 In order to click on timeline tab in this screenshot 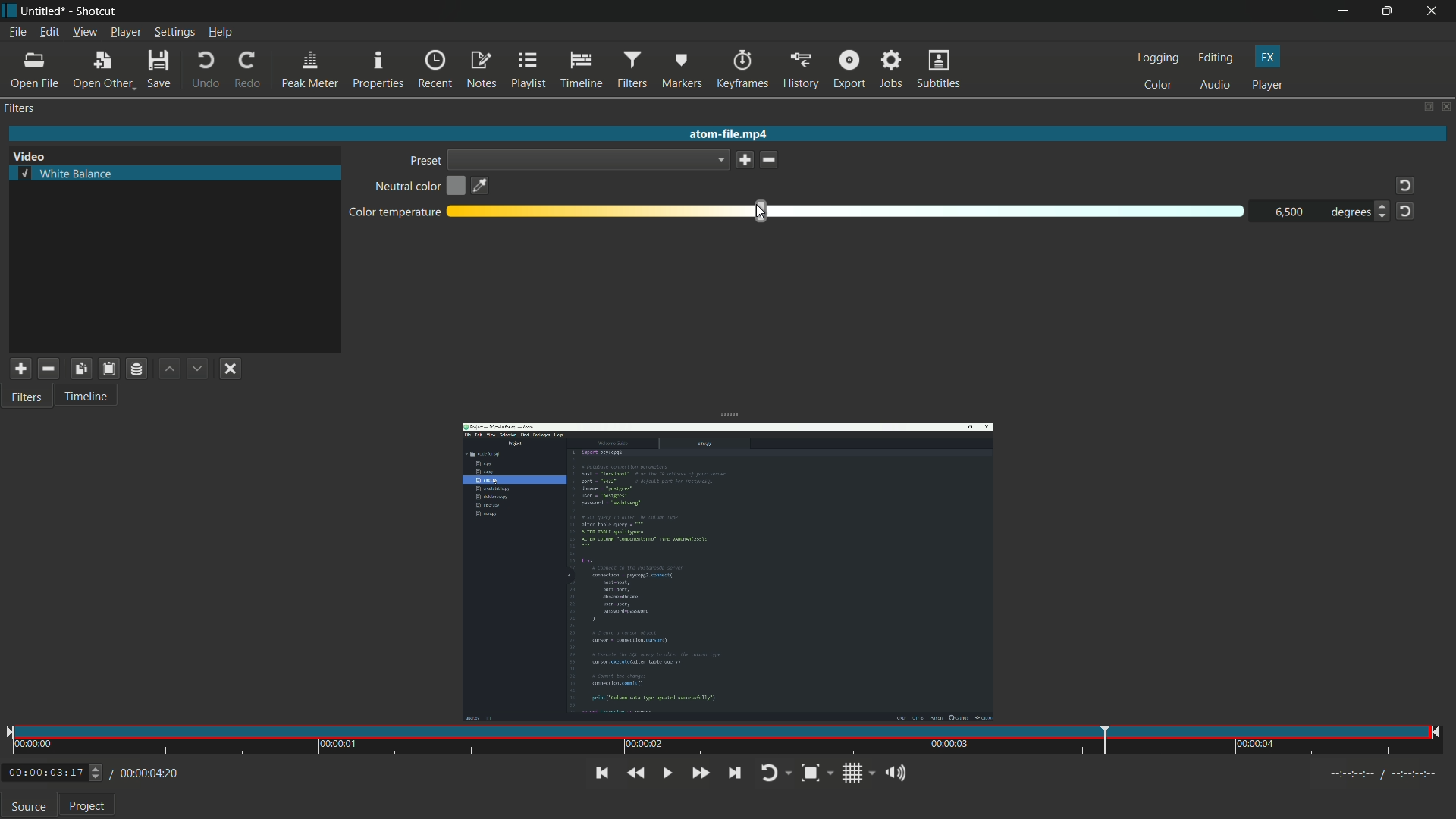, I will do `click(88, 396)`.